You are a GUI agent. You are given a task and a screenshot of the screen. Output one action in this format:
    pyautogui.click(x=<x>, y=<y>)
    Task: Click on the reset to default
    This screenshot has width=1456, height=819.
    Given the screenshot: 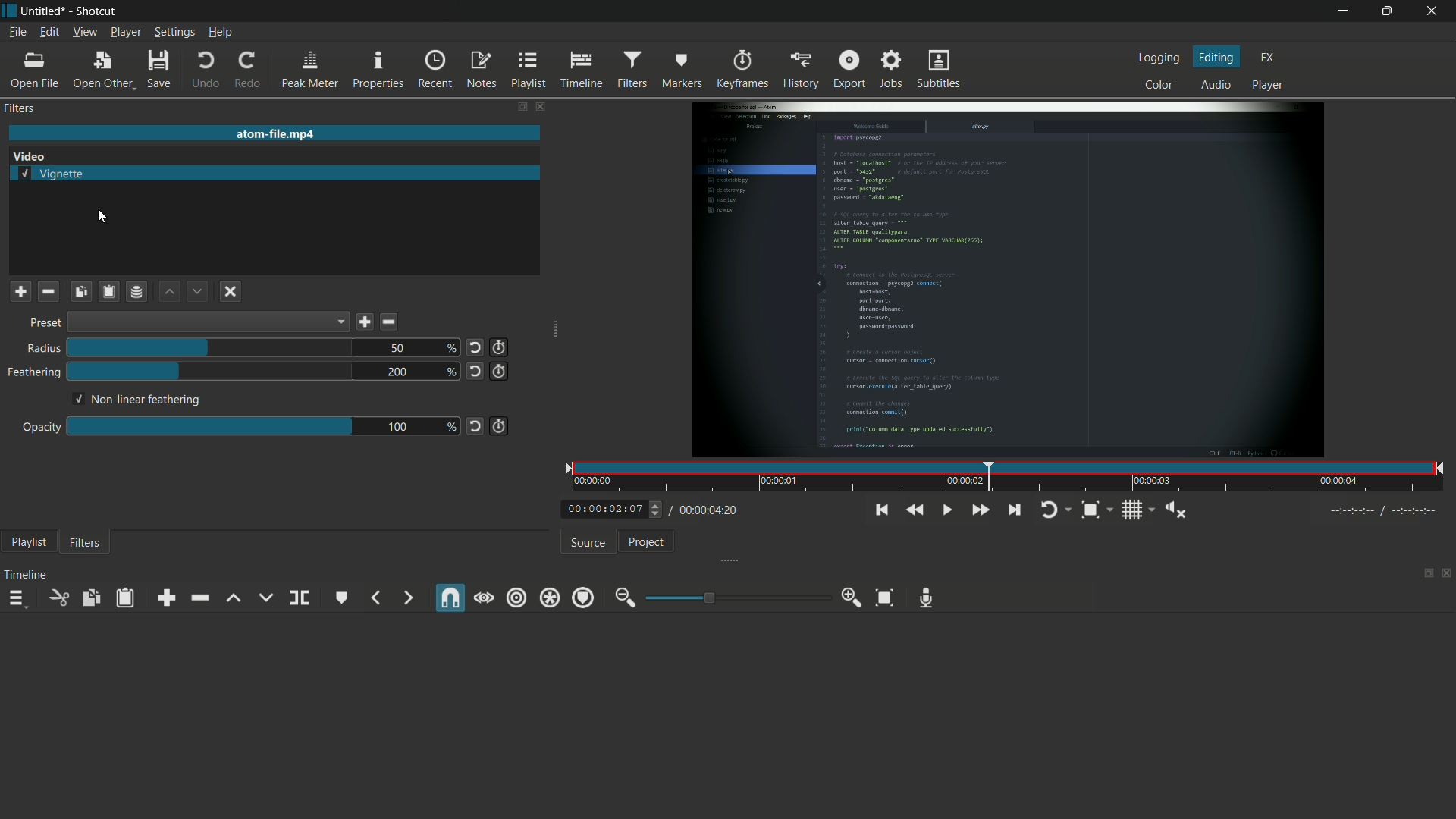 What is the action you would take?
    pyautogui.click(x=474, y=348)
    